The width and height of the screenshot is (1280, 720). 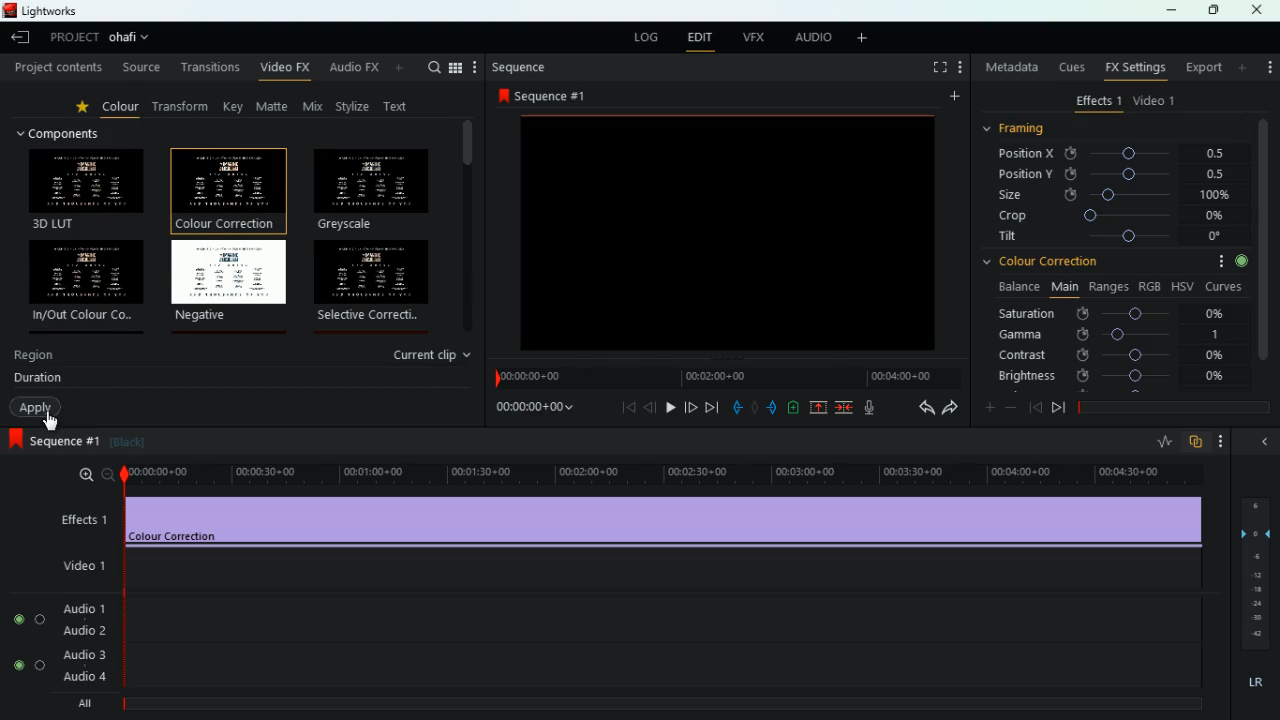 I want to click on search, so click(x=434, y=67).